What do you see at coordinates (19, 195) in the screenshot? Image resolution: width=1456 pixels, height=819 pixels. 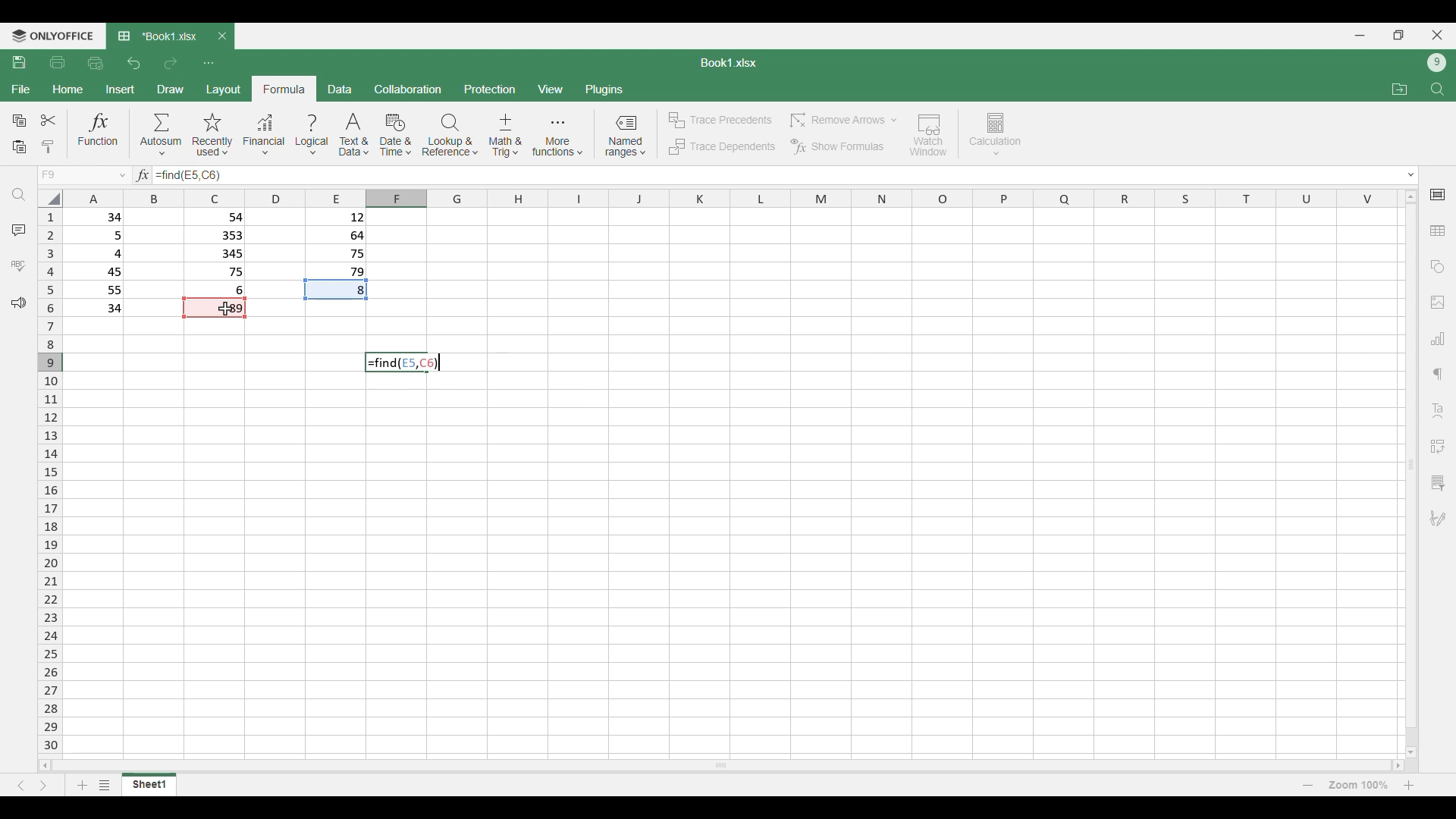 I see `Find` at bounding box center [19, 195].